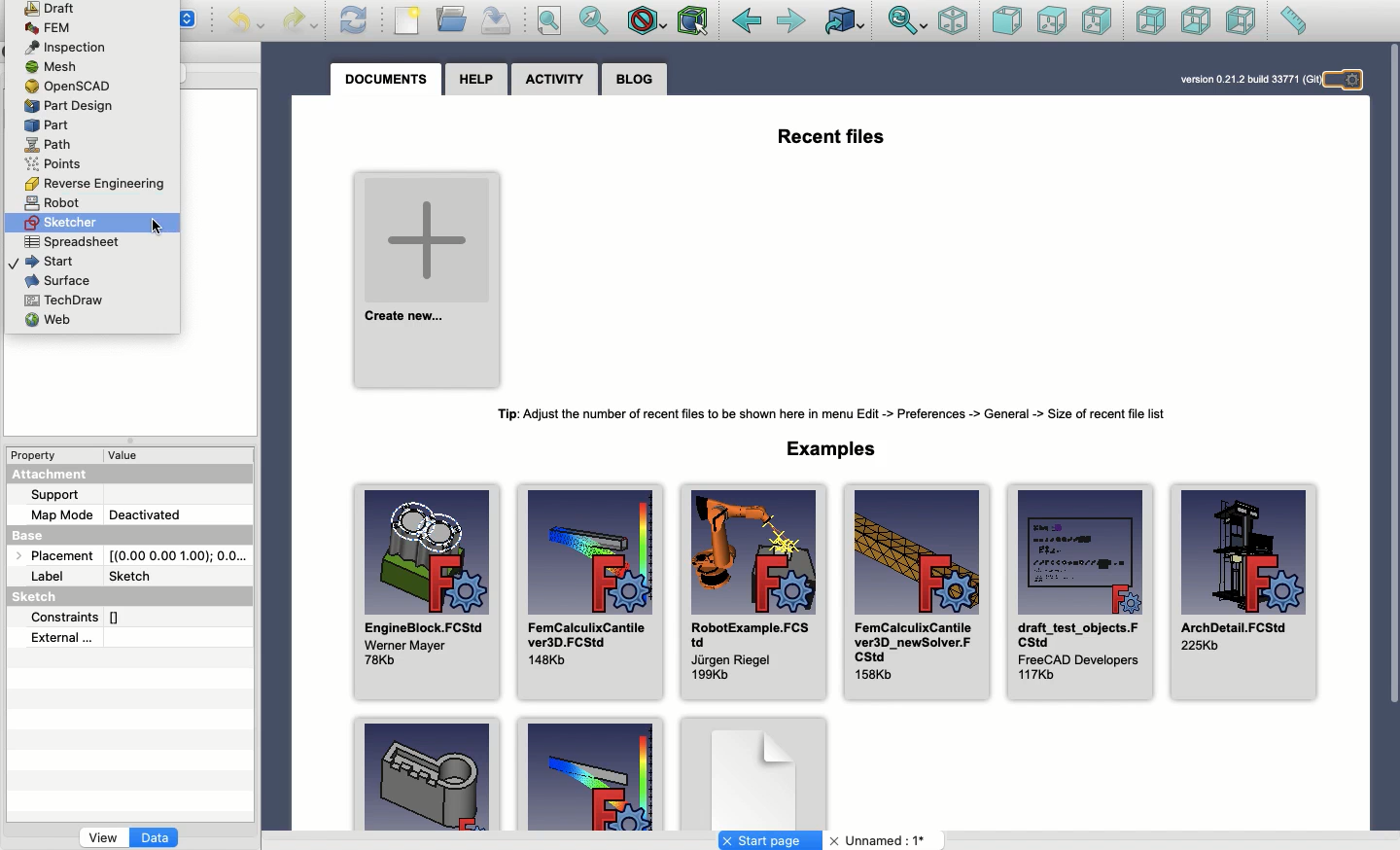 This screenshot has width=1400, height=850. Describe the element at coordinates (828, 449) in the screenshot. I see `Examples` at that location.